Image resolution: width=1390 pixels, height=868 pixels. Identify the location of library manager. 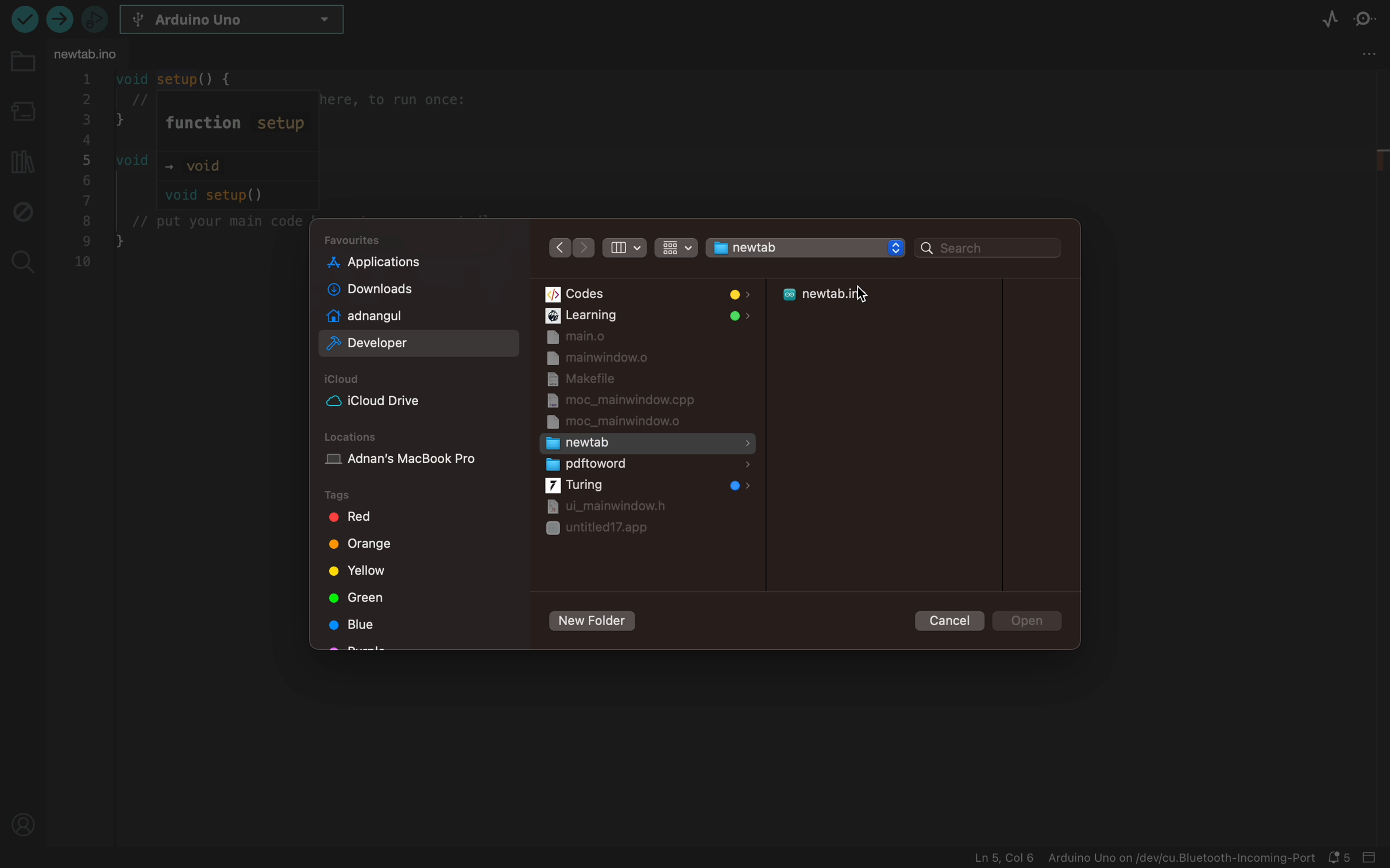
(20, 158).